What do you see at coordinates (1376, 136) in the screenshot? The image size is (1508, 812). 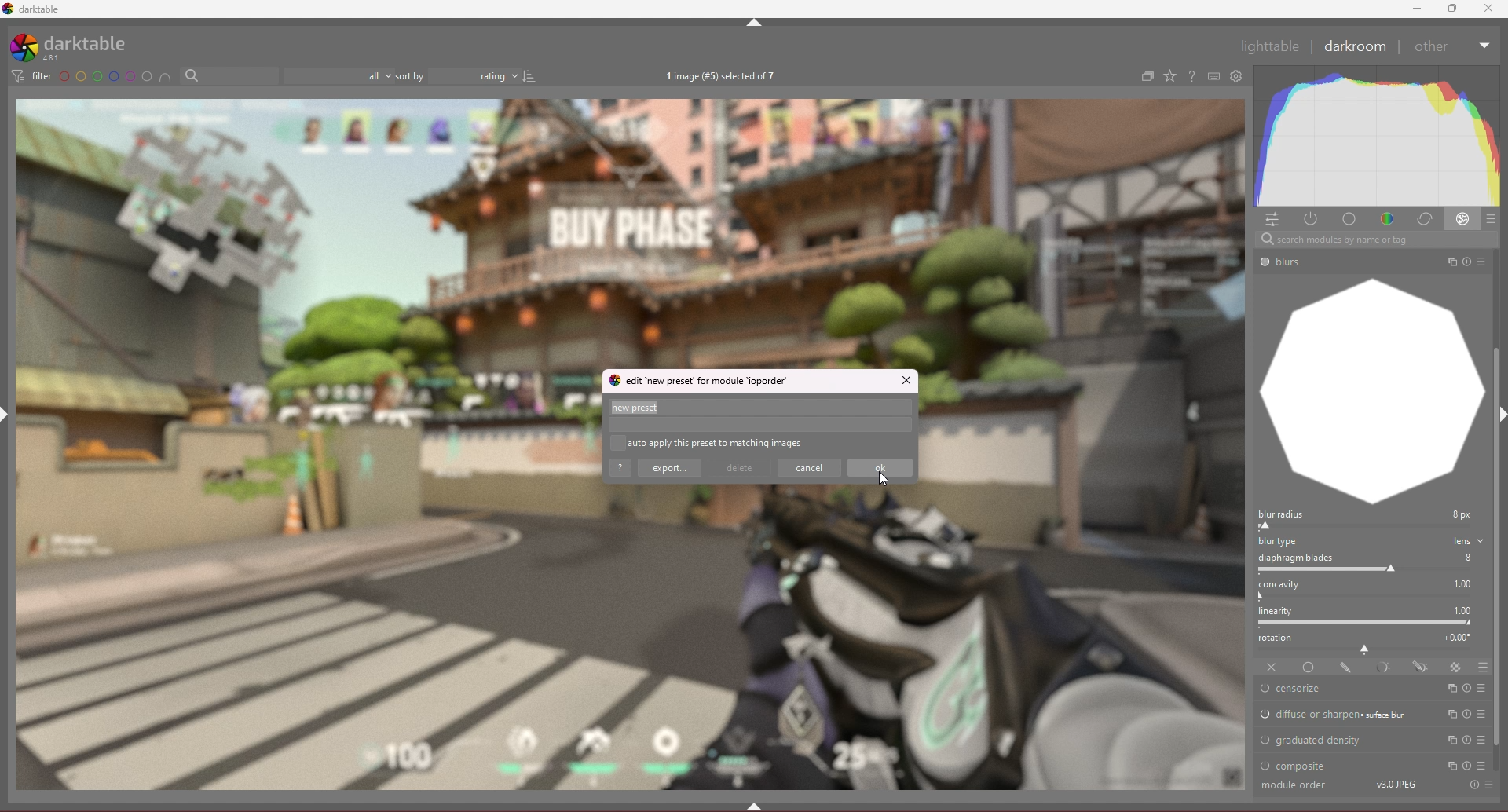 I see `heat graph` at bounding box center [1376, 136].